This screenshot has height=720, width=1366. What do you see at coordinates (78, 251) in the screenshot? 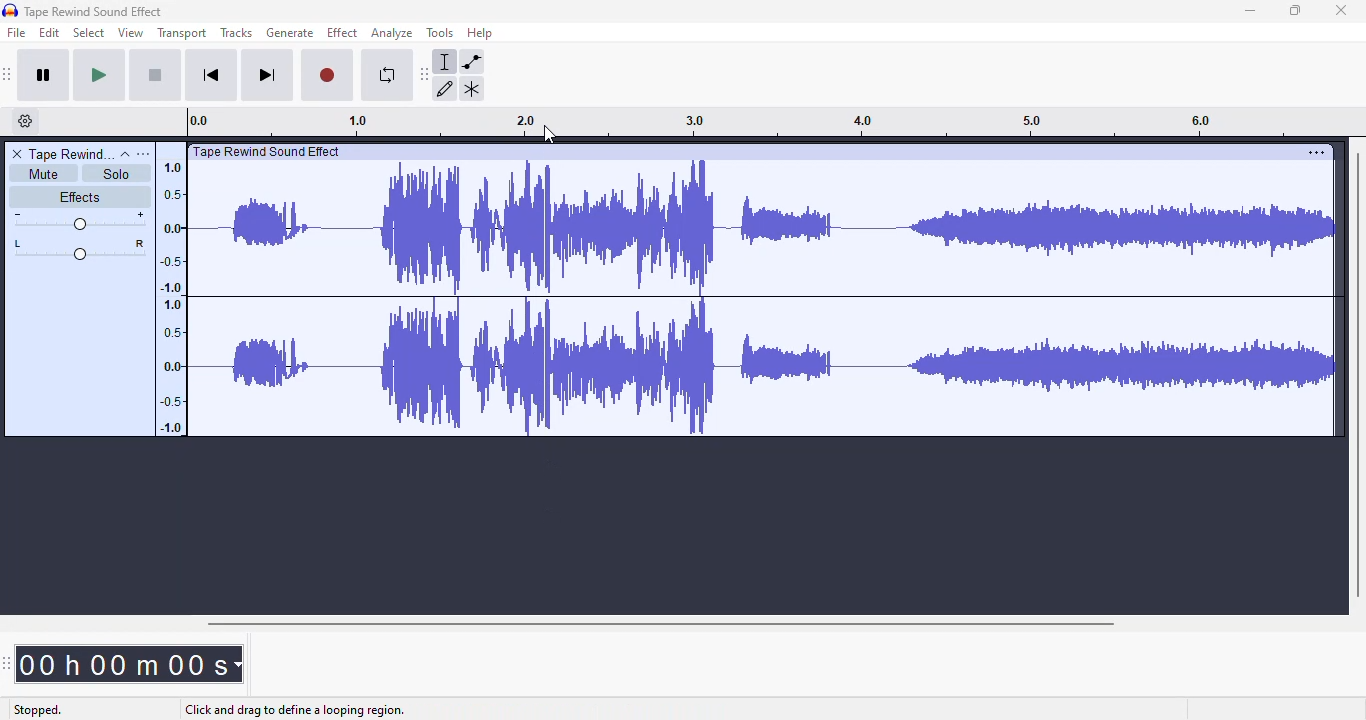
I see `pan` at bounding box center [78, 251].